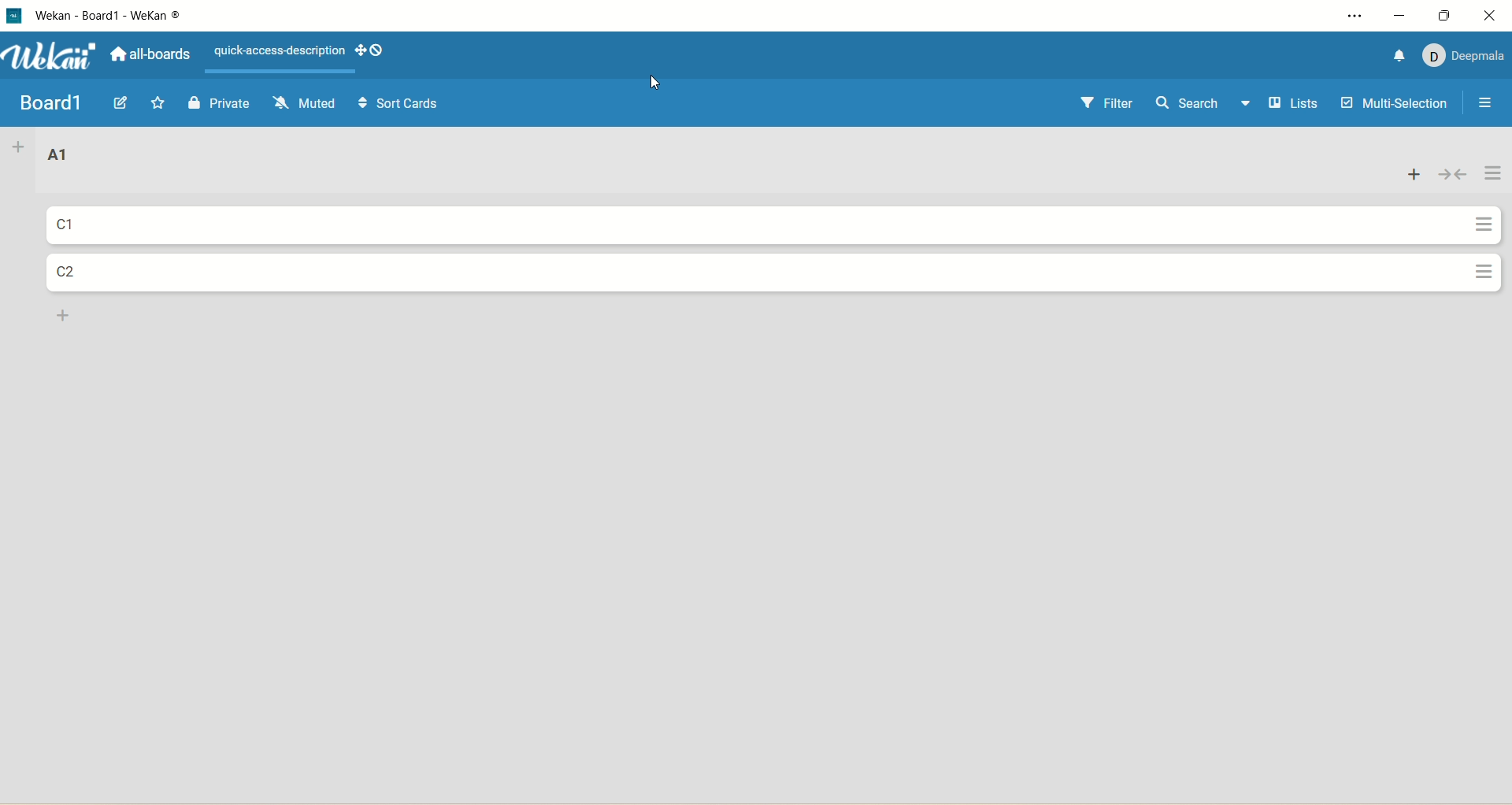  Describe the element at coordinates (1395, 54) in the screenshot. I see `notification` at that location.